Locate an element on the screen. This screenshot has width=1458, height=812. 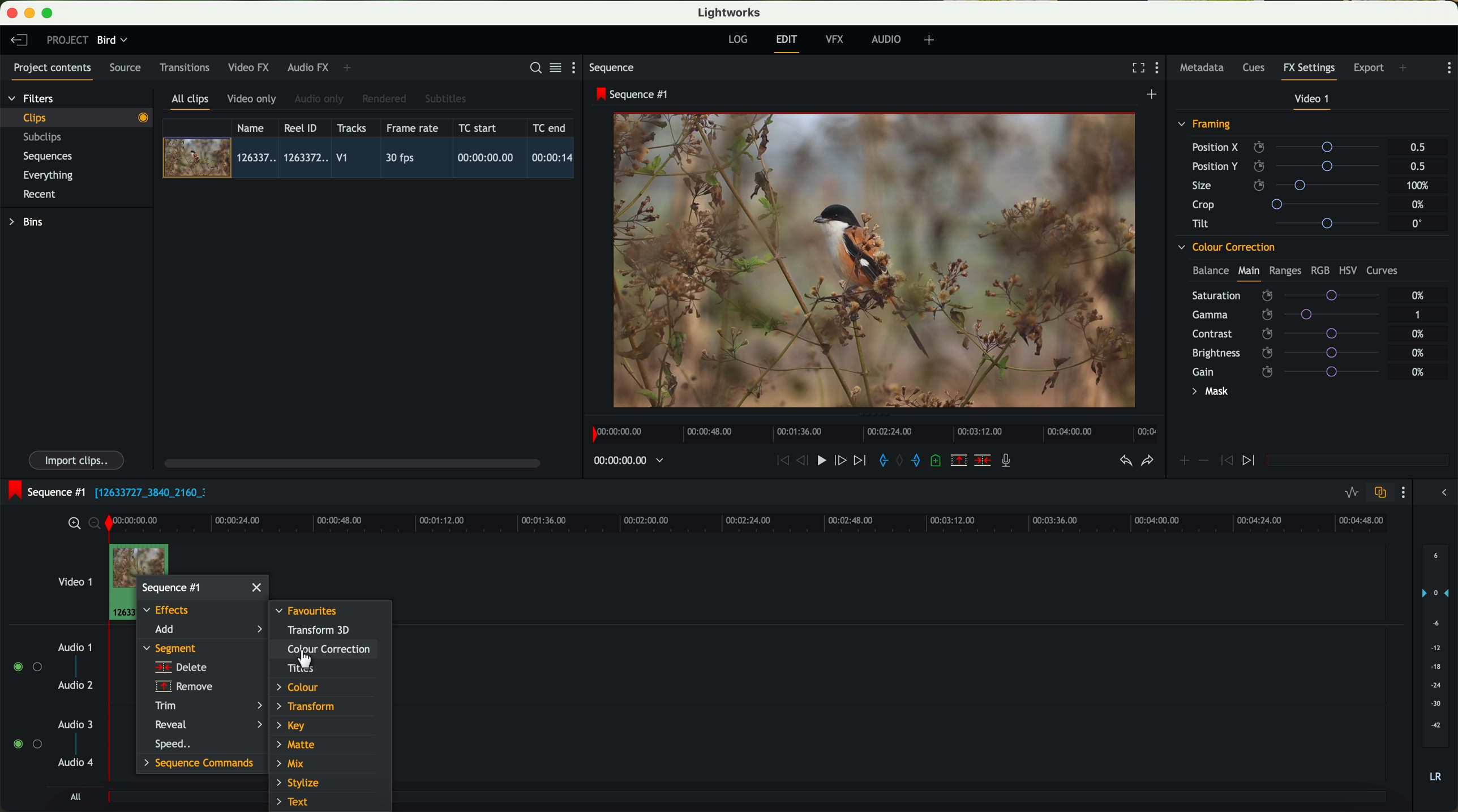
0% is located at coordinates (1418, 295).